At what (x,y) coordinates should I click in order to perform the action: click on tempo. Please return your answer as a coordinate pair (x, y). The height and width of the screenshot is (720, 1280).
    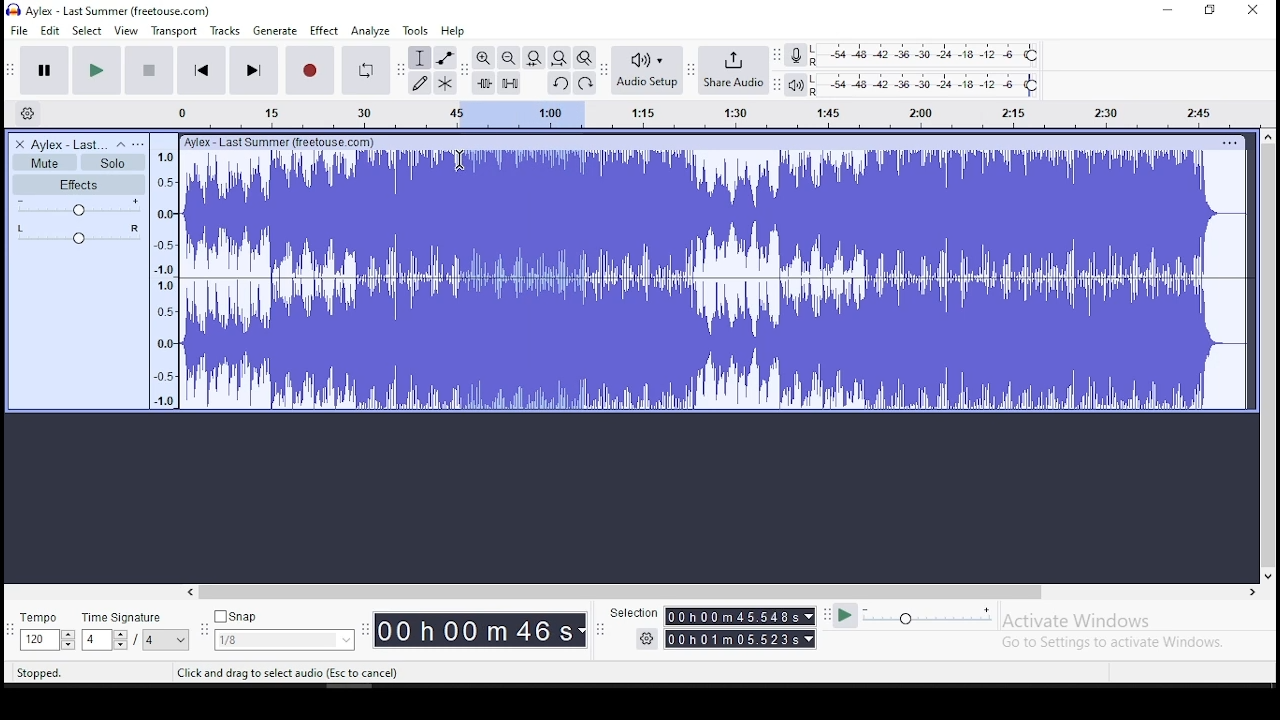
    Looking at the image, I should click on (45, 633).